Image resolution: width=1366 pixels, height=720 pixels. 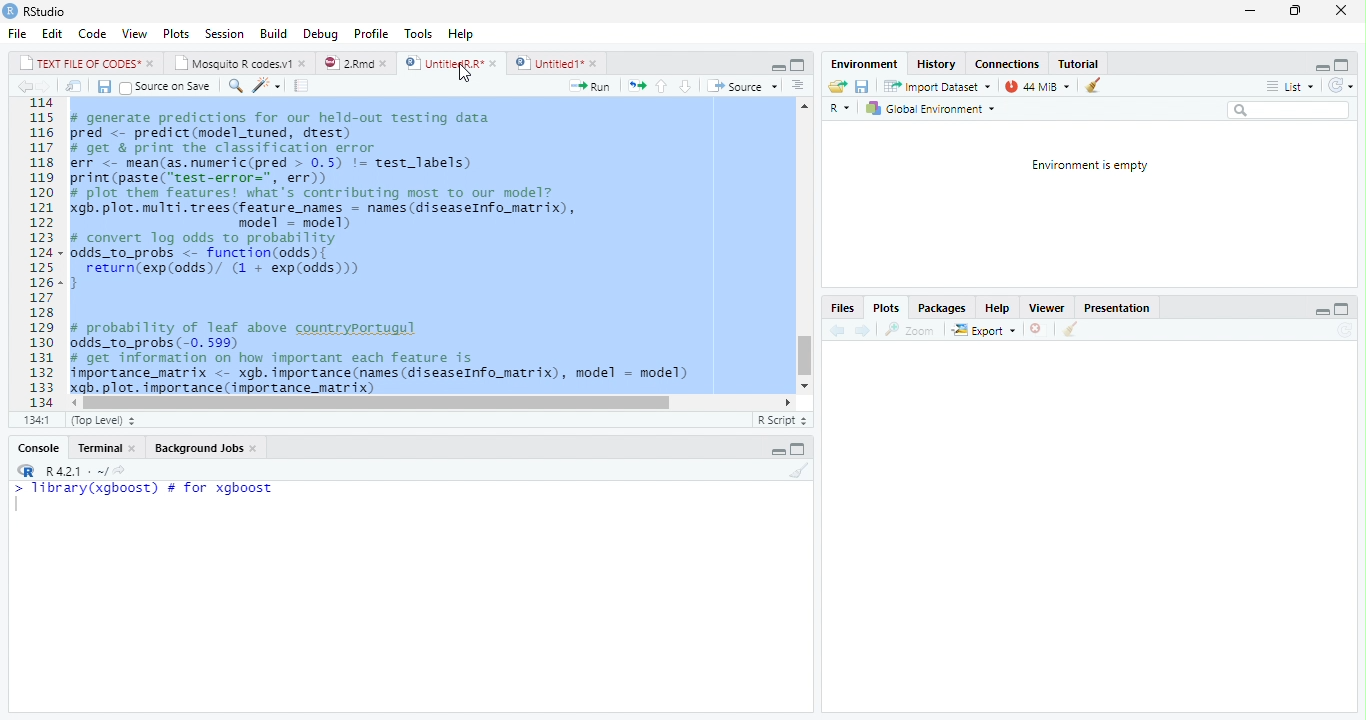 I want to click on Restore Down, so click(x=1294, y=11).